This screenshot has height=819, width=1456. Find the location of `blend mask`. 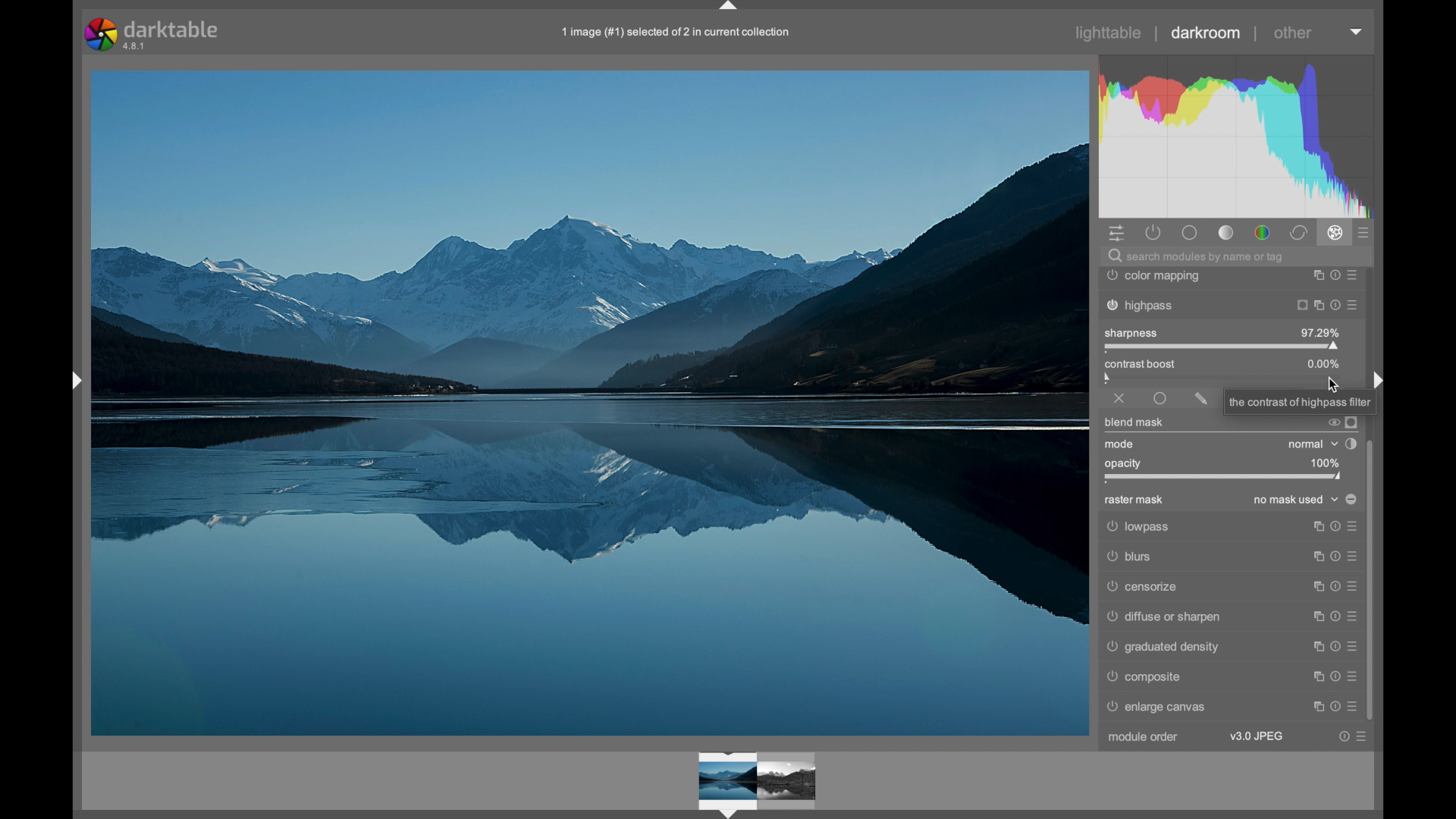

blend mask is located at coordinates (1133, 422).